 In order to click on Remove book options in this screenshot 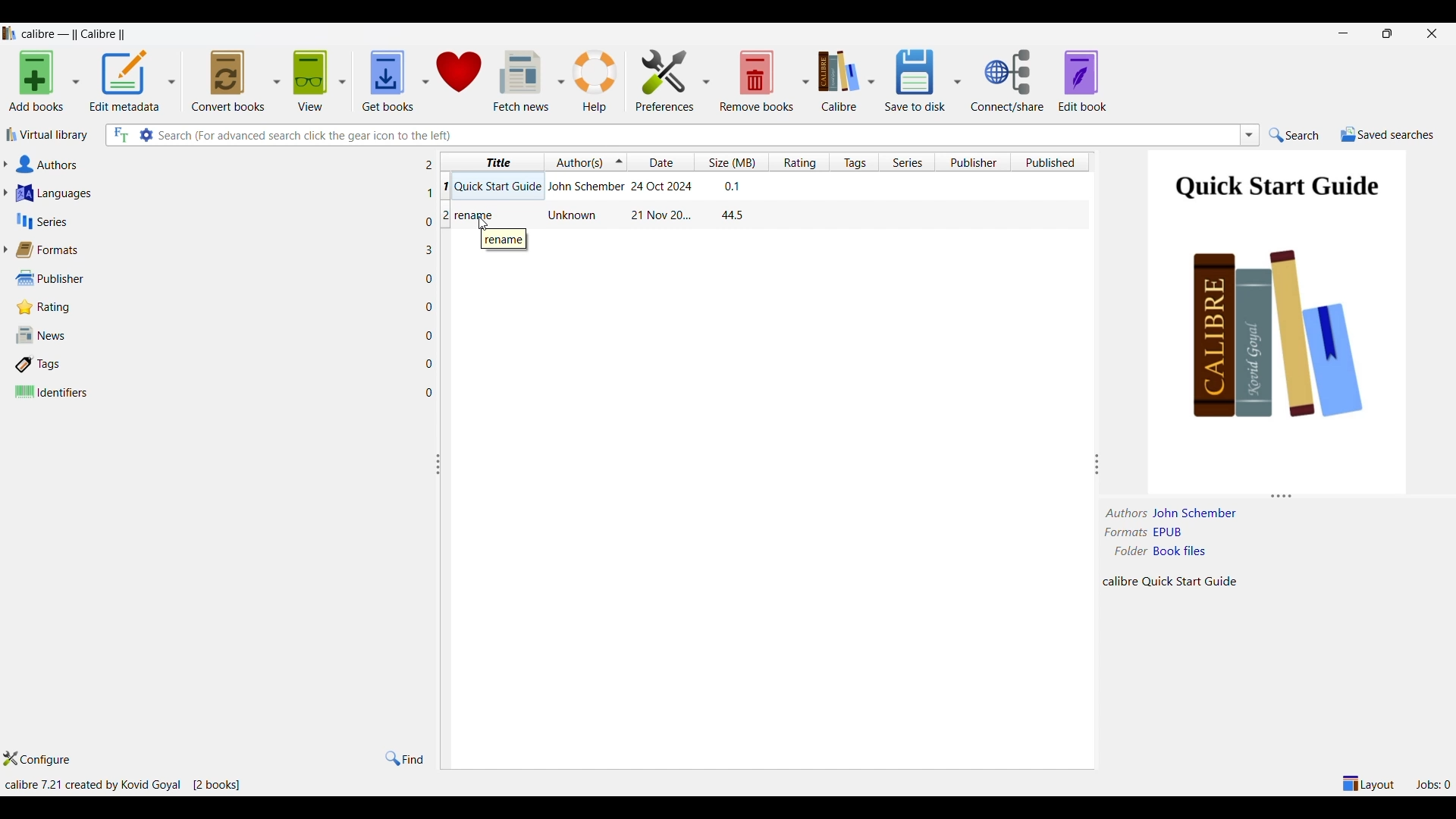, I will do `click(805, 82)`.